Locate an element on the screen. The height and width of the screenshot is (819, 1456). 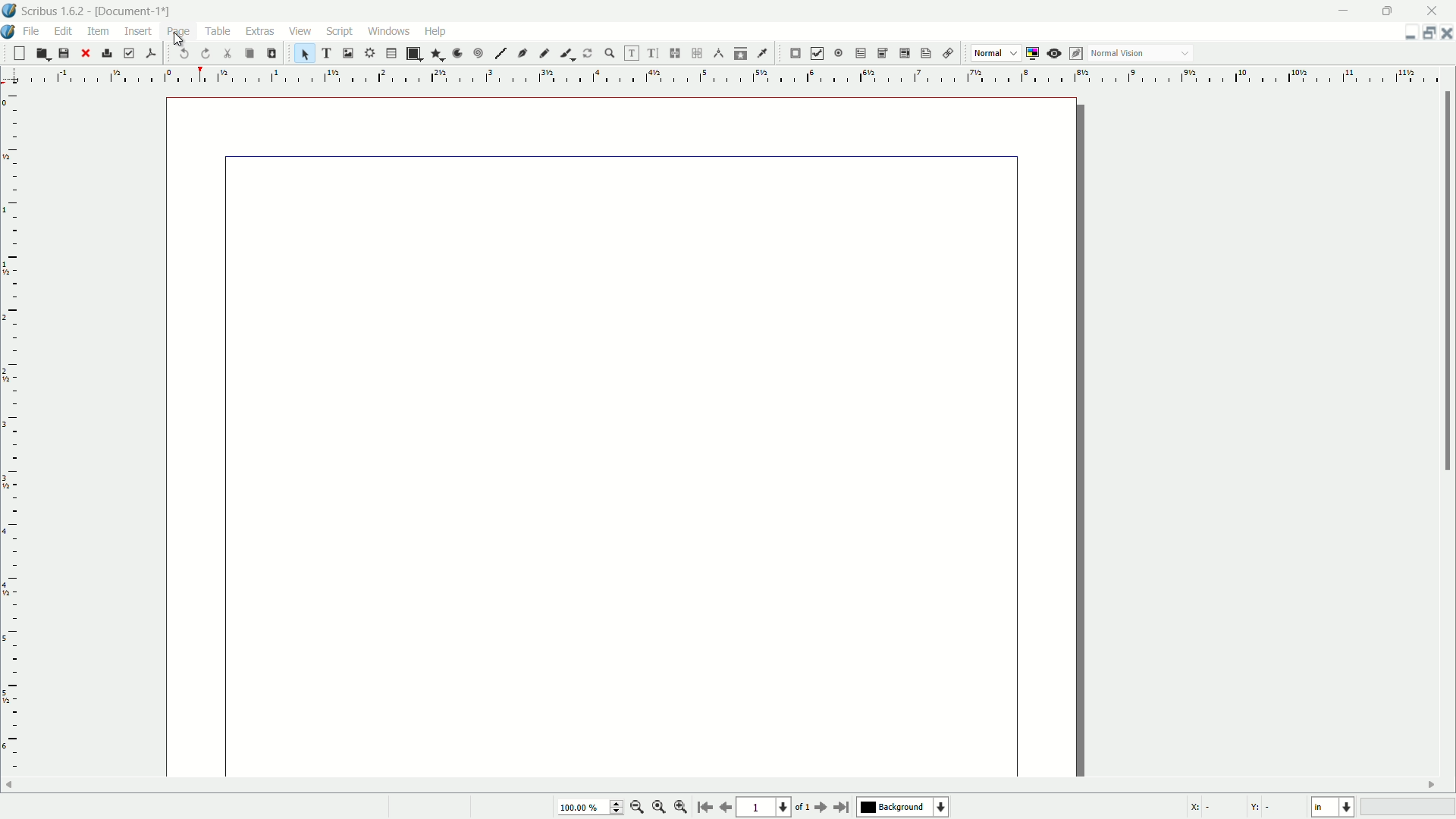
measuring scale is located at coordinates (722, 77).